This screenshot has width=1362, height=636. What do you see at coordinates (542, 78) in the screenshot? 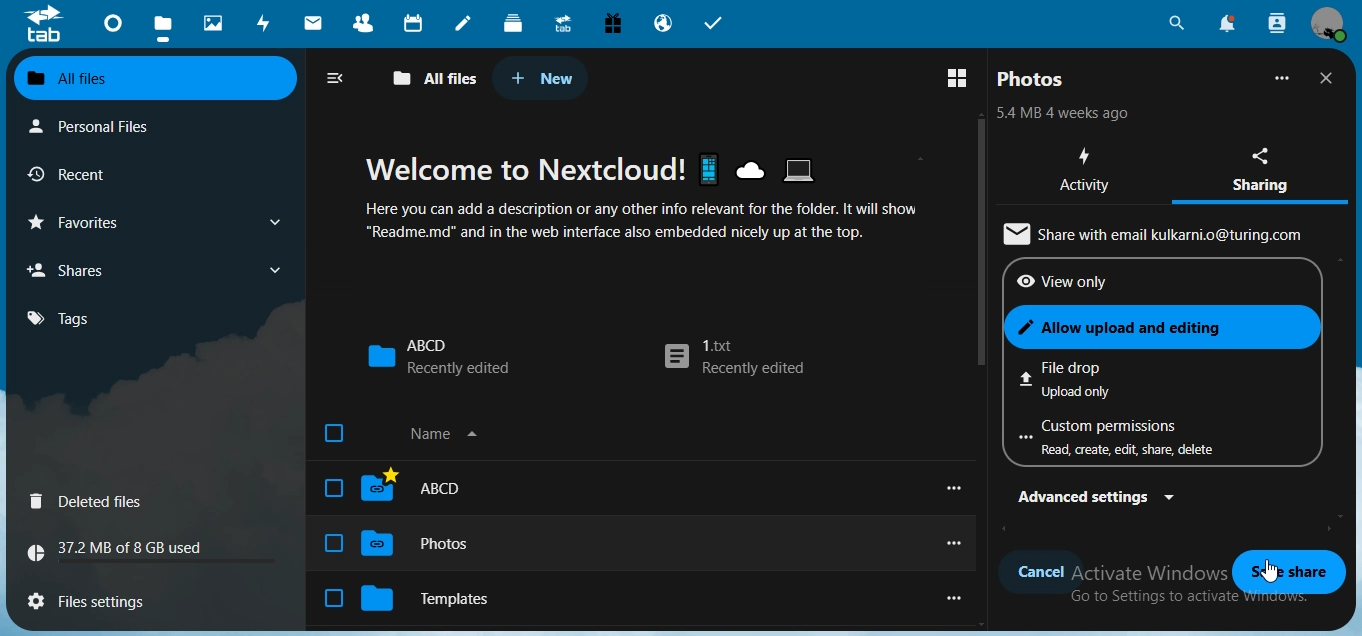
I see `new` at bounding box center [542, 78].